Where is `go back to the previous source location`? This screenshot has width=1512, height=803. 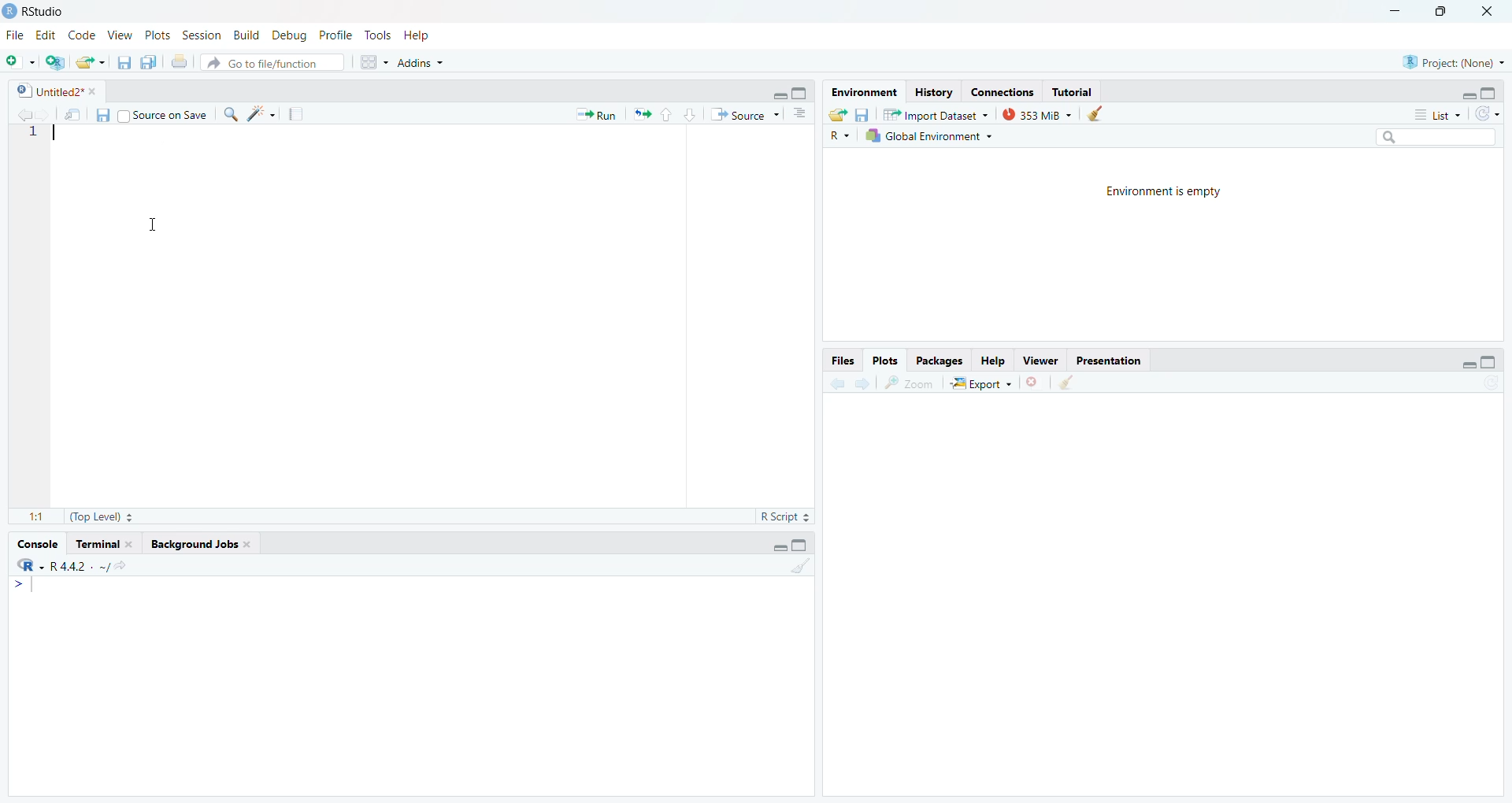 go back to the previous source location is located at coordinates (26, 115).